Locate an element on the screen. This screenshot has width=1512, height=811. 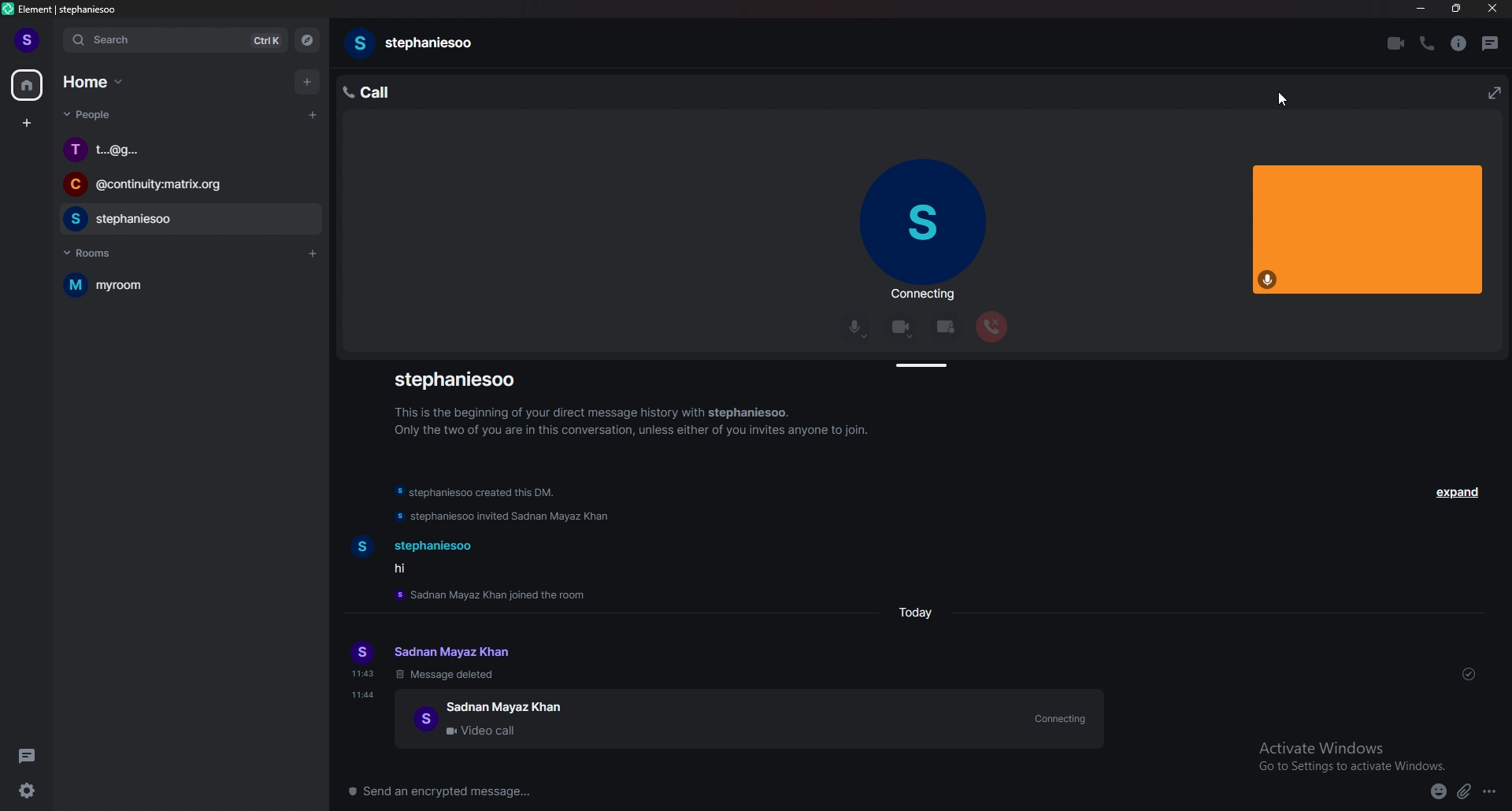
video call is located at coordinates (749, 720).